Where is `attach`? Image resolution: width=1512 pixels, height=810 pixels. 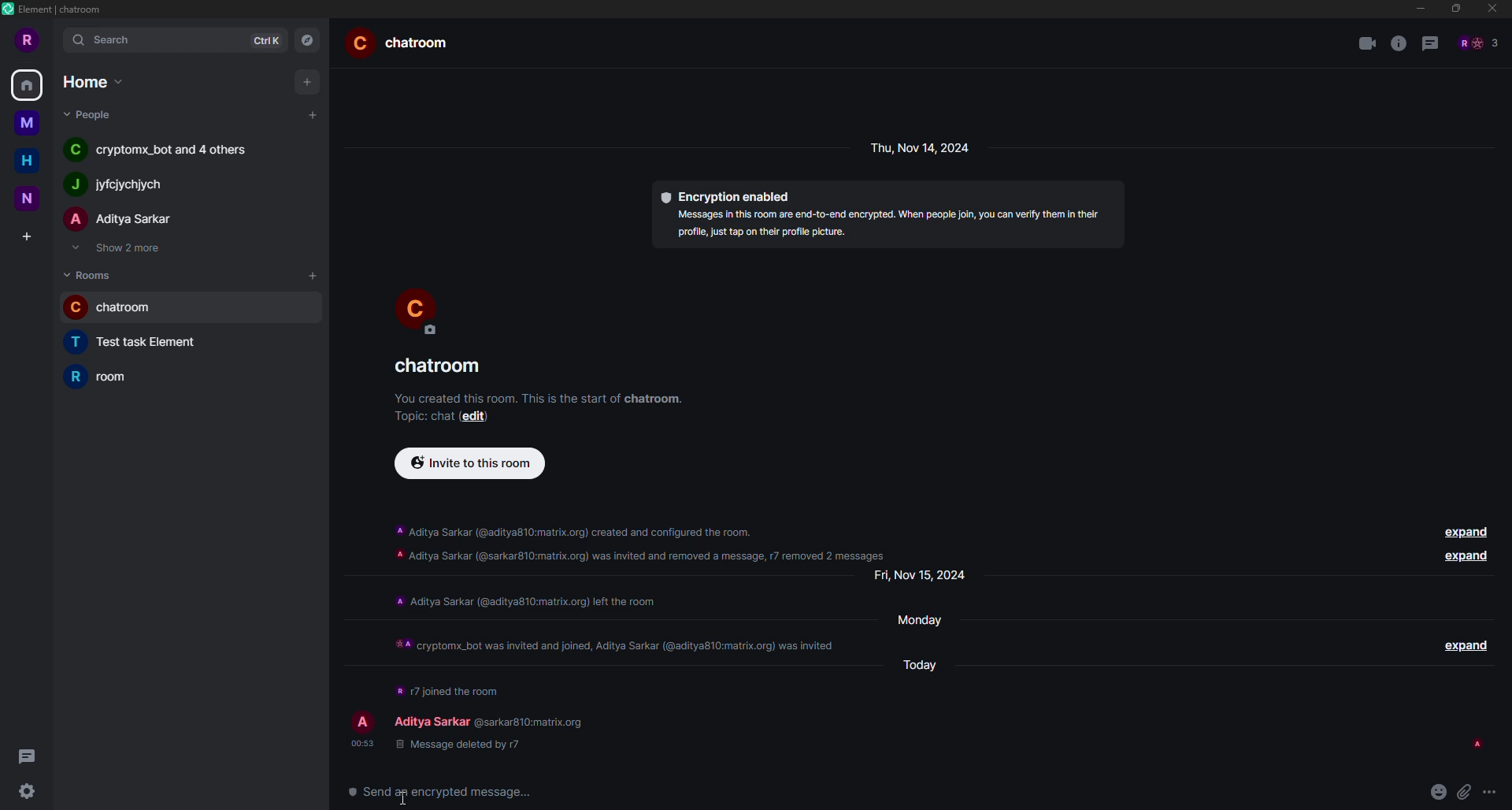
attach is located at coordinates (1465, 793).